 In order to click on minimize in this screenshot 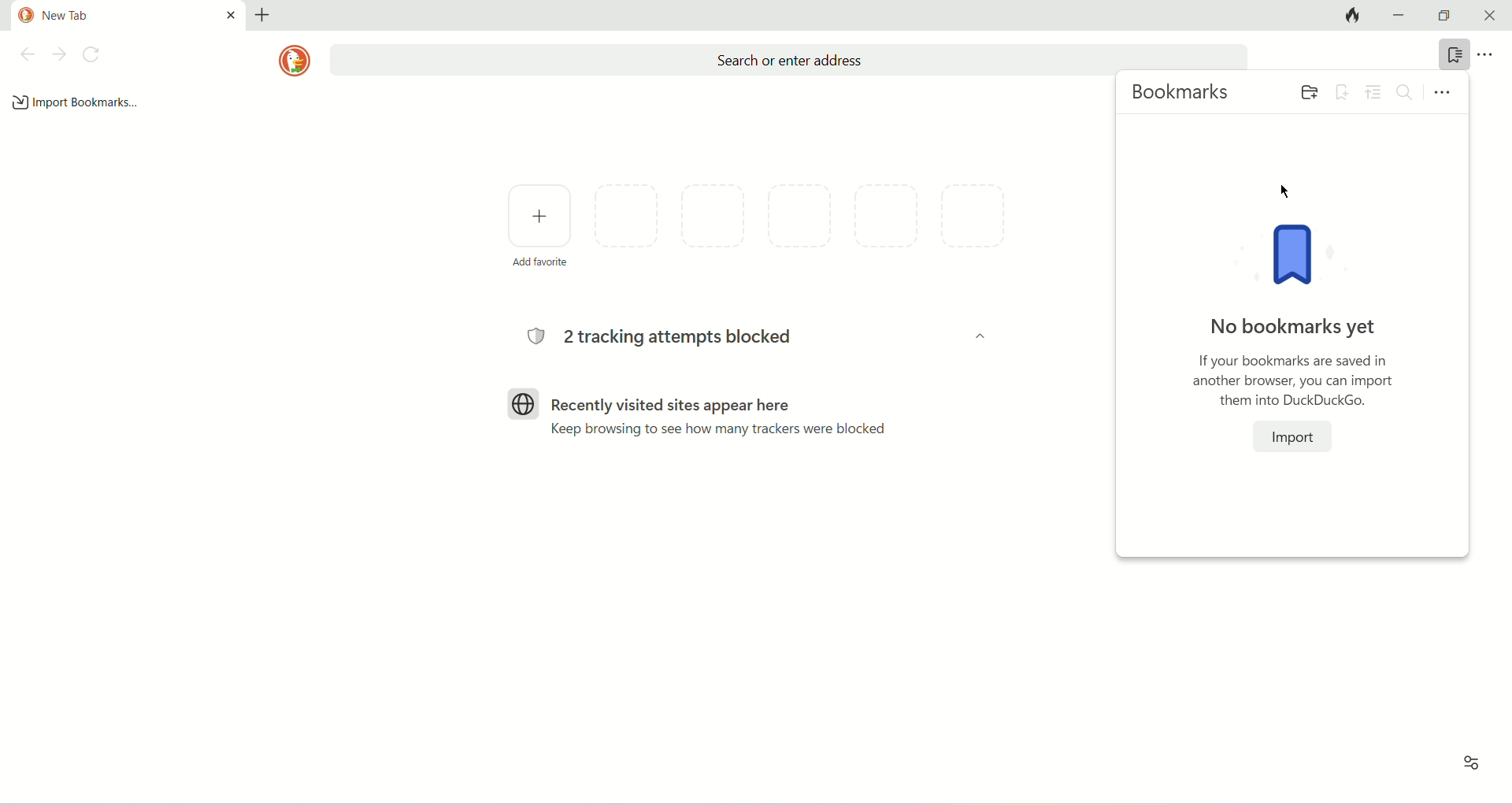, I will do `click(1400, 16)`.